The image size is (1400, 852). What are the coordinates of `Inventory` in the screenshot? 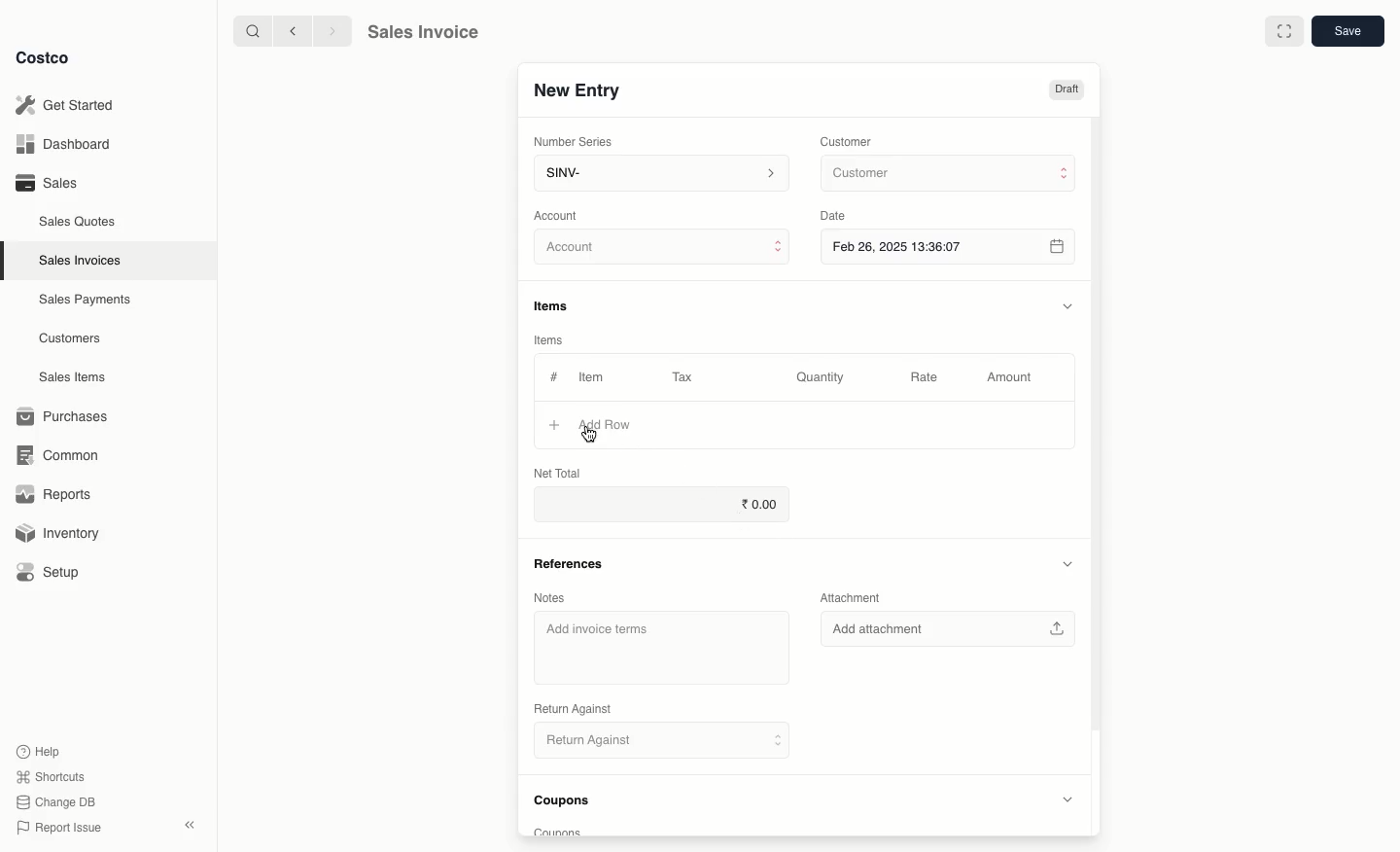 It's located at (61, 531).